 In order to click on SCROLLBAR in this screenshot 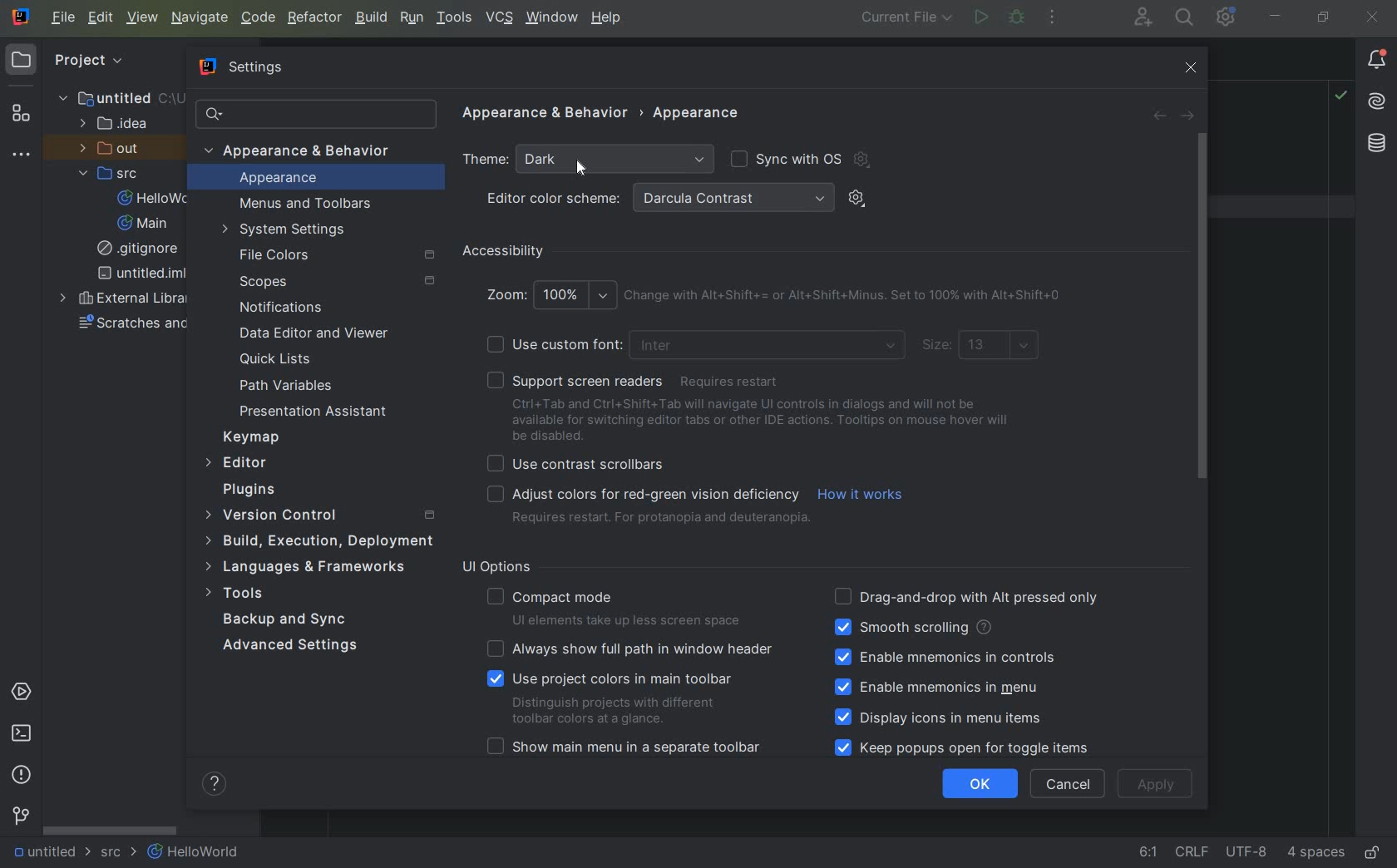, I will do `click(111, 830)`.